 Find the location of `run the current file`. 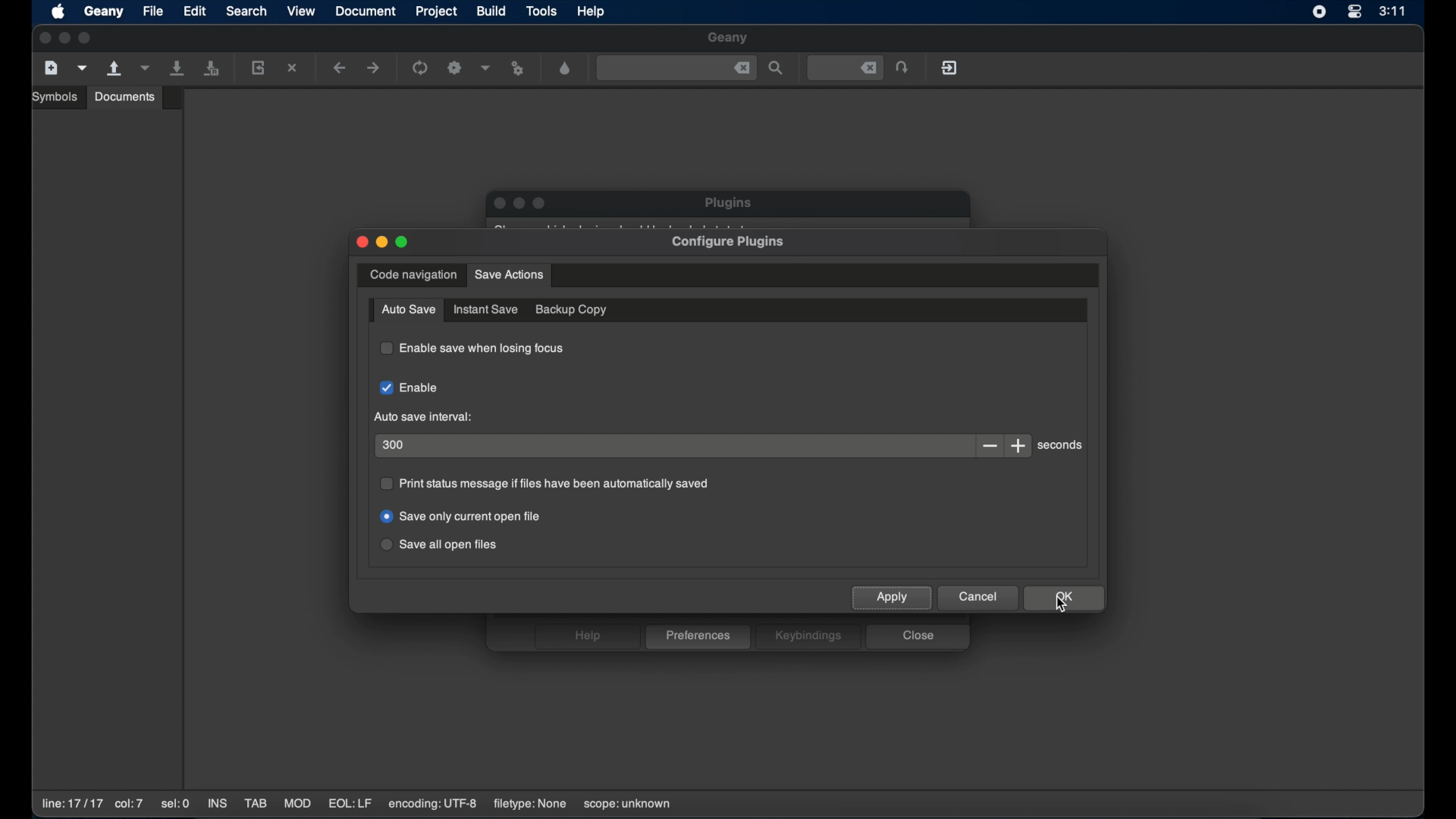

run the current file is located at coordinates (421, 68).